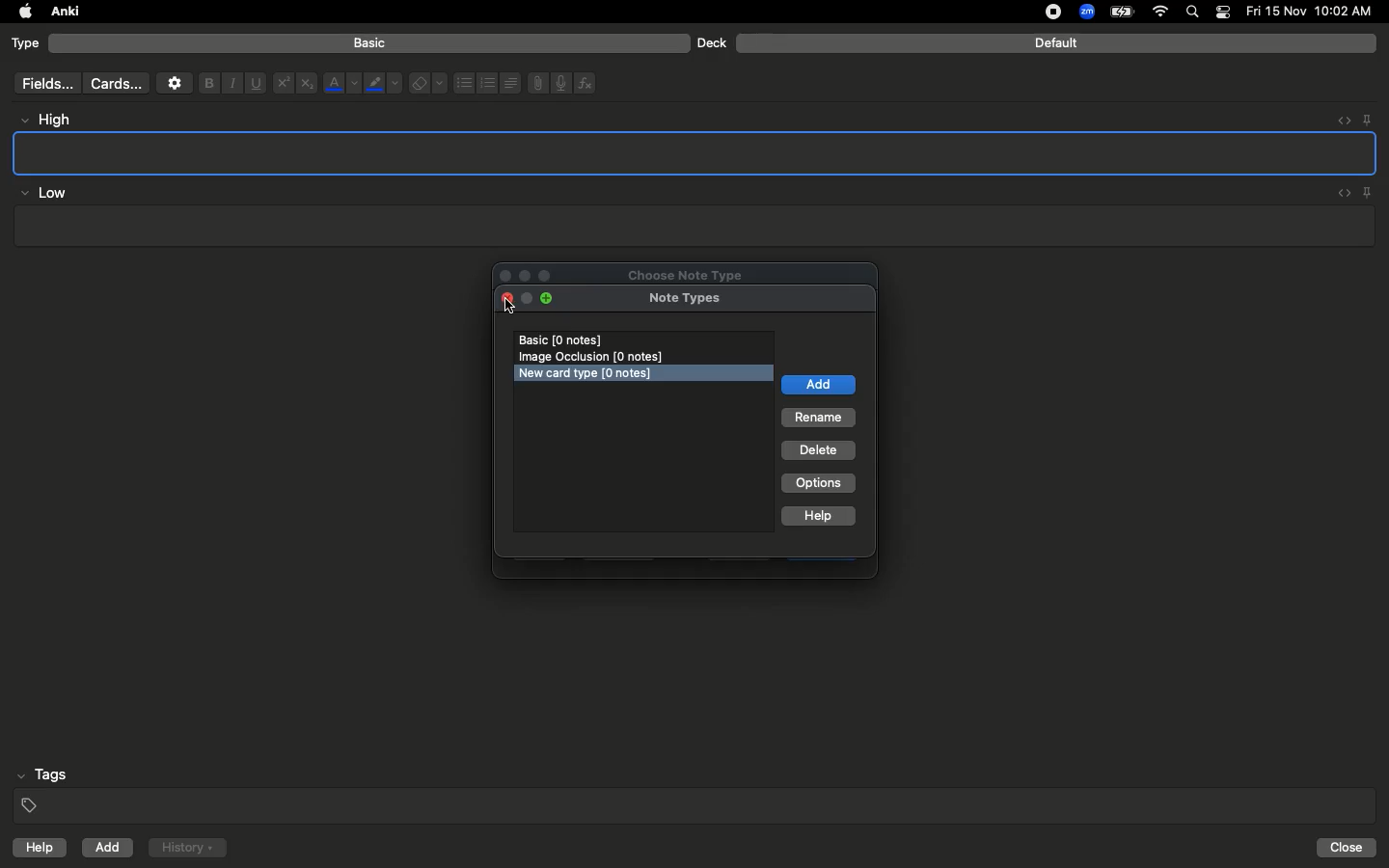  I want to click on Low, so click(44, 194).